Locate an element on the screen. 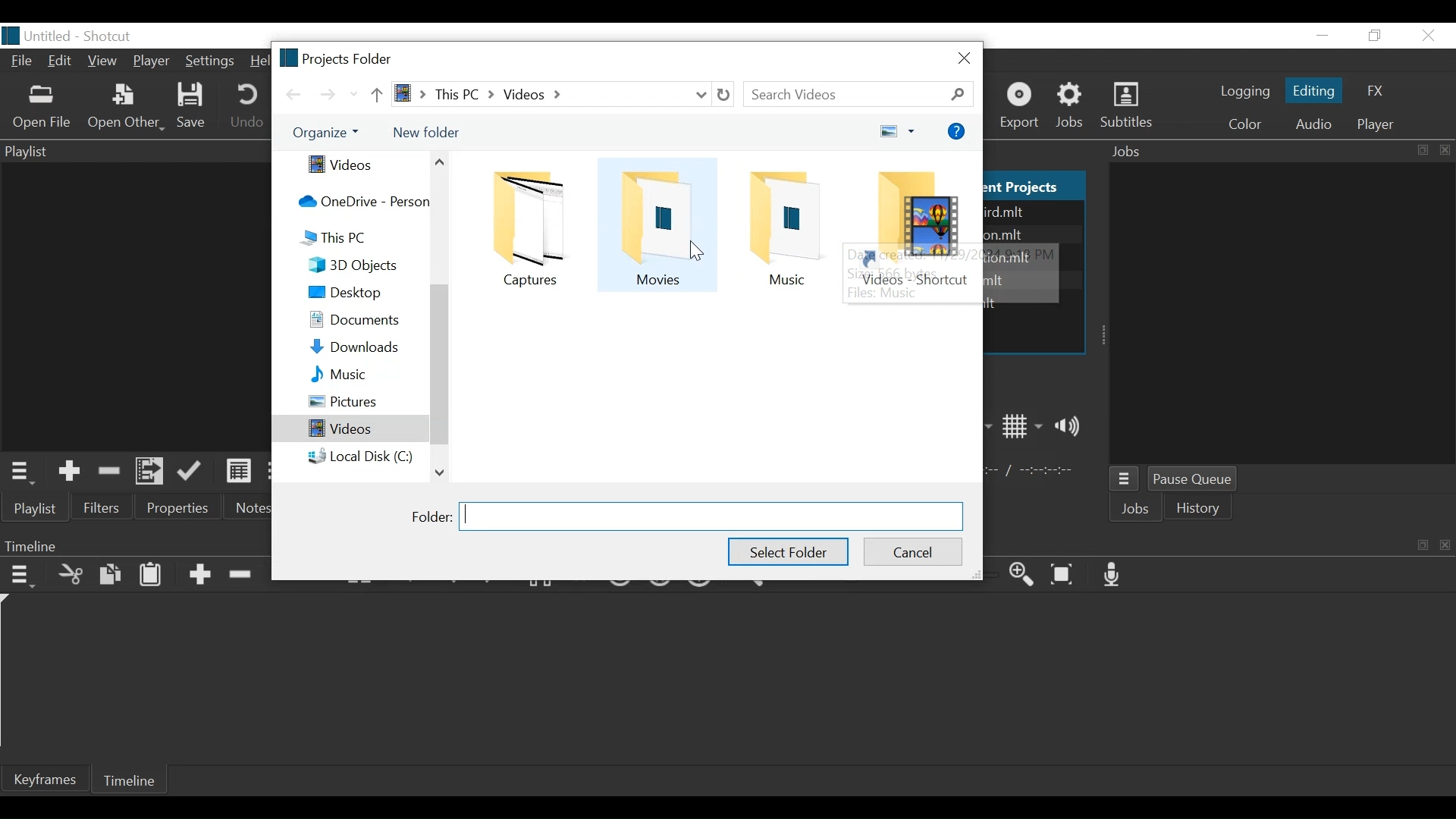  Videos is located at coordinates (357, 165).